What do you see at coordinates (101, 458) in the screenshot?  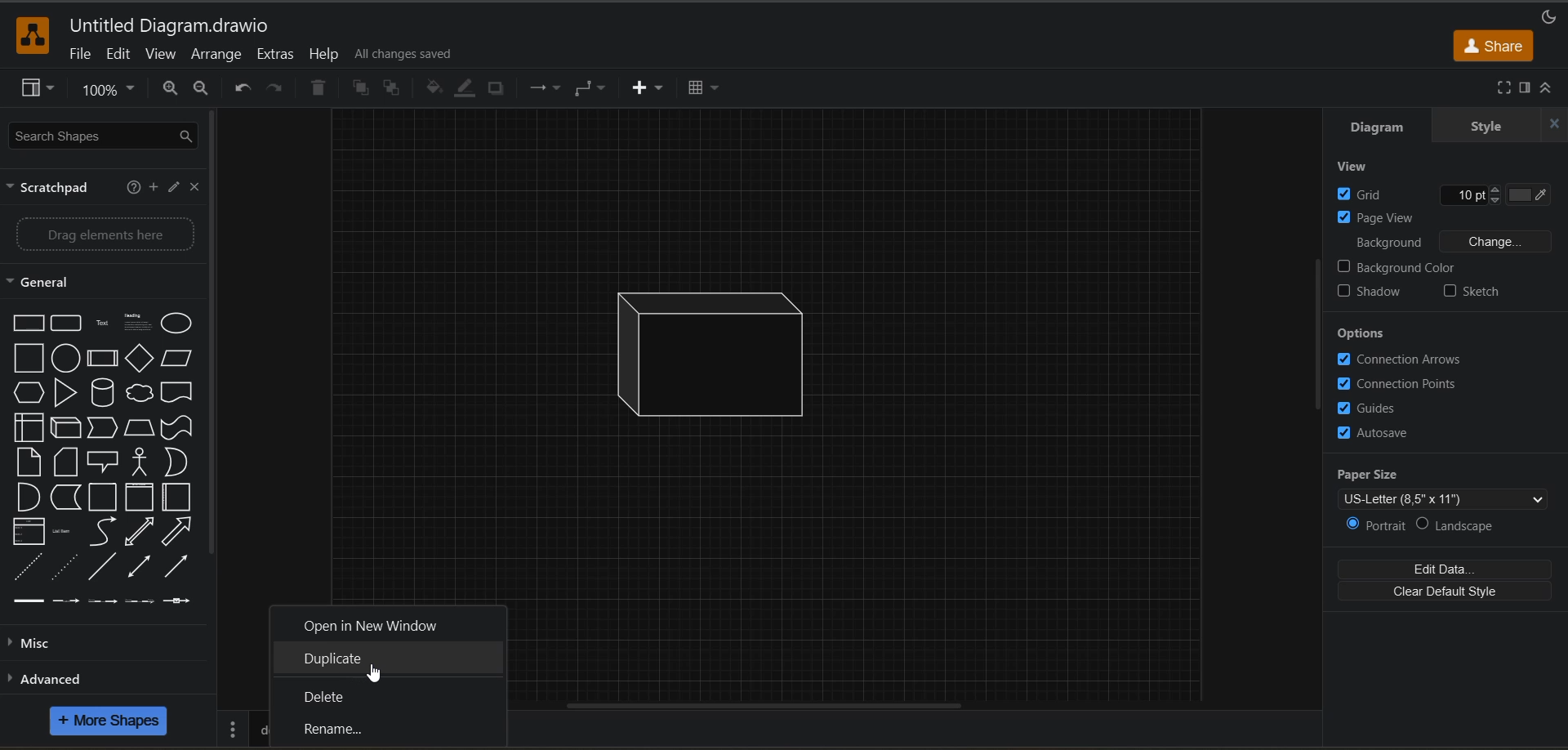 I see `shapes` at bounding box center [101, 458].